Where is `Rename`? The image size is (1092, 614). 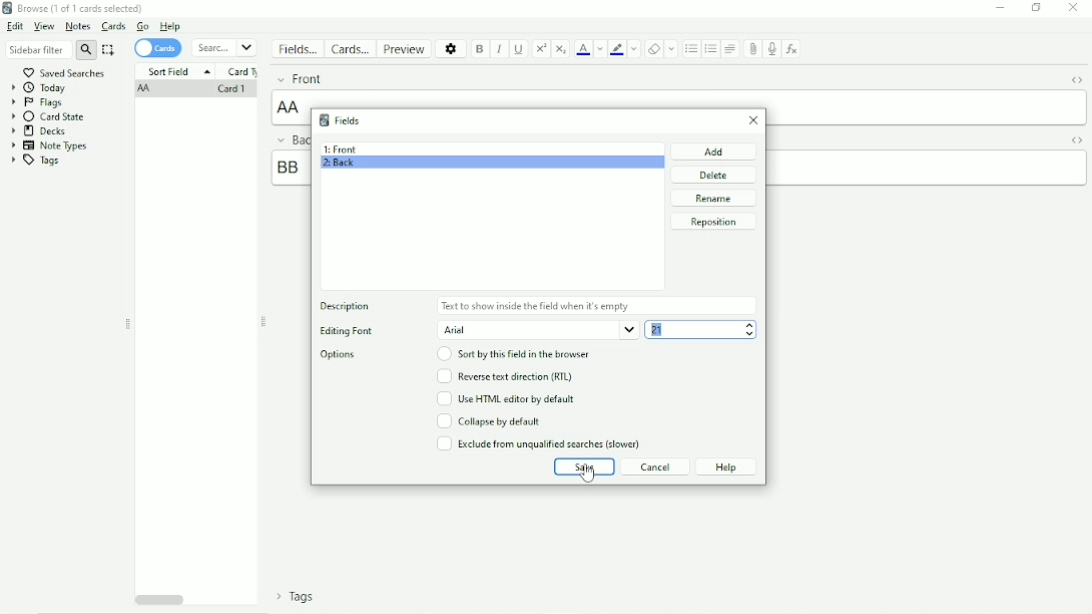 Rename is located at coordinates (714, 198).